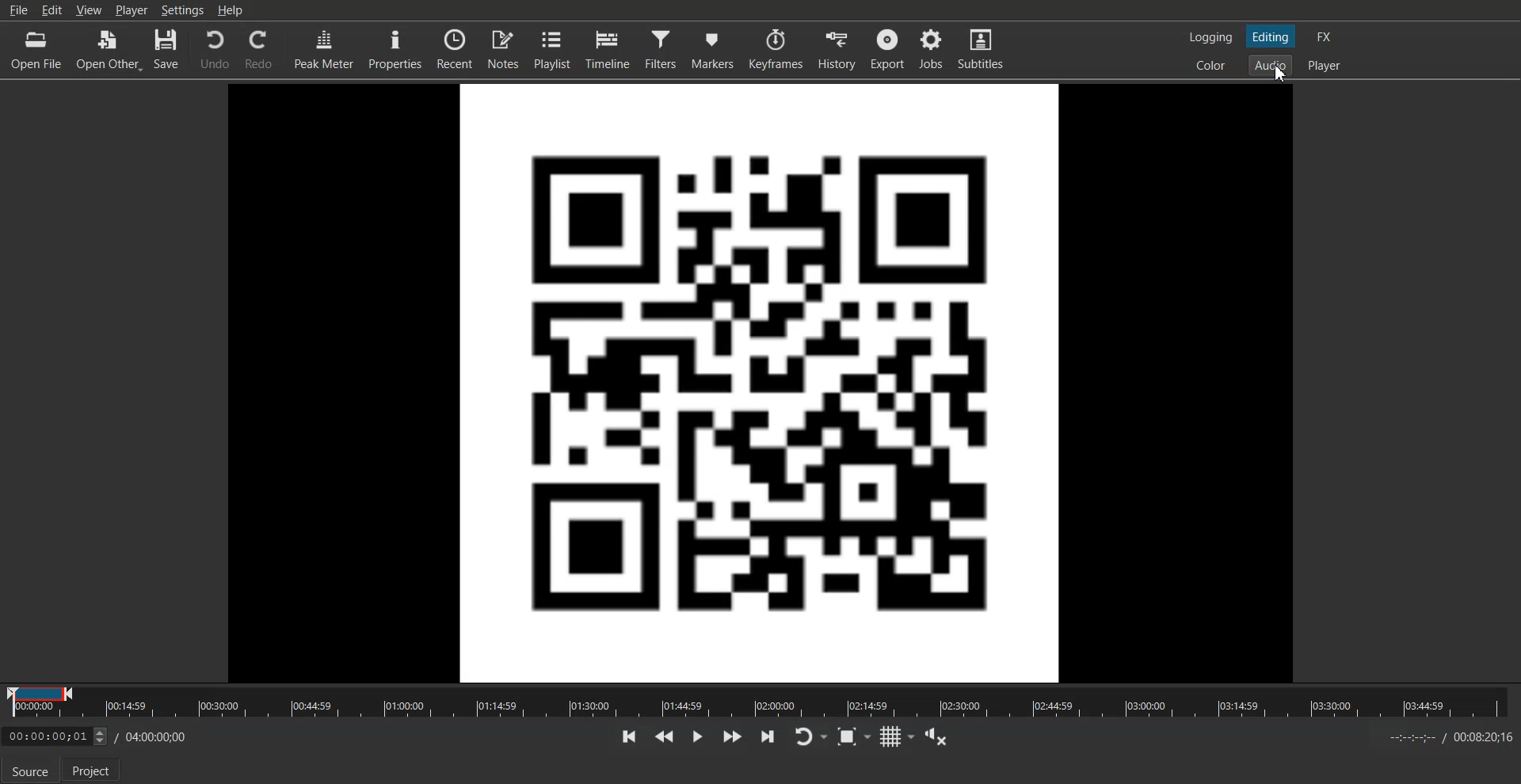 The height and width of the screenshot is (784, 1521). What do you see at coordinates (100, 736) in the screenshot?
I see `Time adjuster` at bounding box center [100, 736].